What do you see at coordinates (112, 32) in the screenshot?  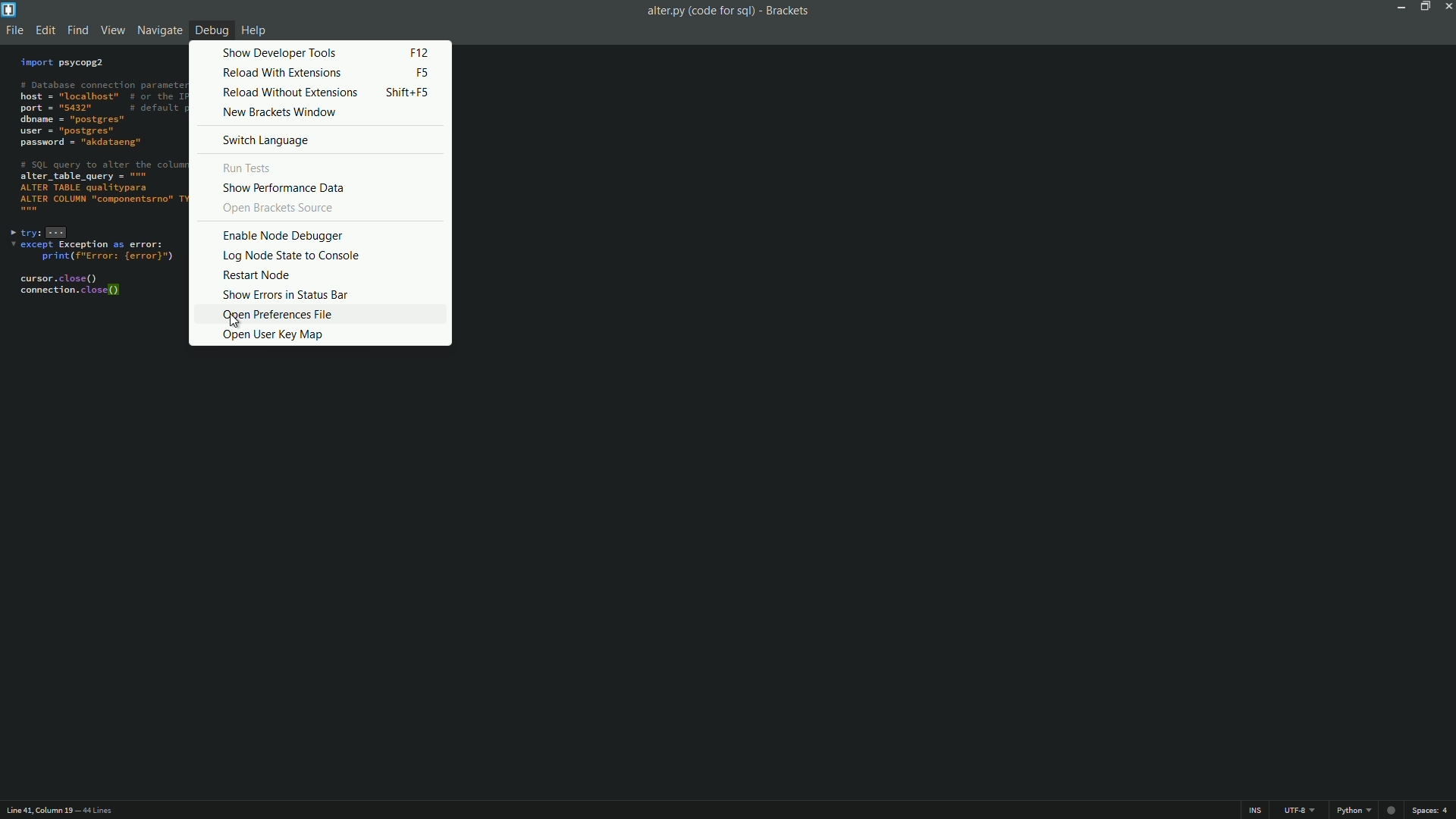 I see `View menu` at bounding box center [112, 32].